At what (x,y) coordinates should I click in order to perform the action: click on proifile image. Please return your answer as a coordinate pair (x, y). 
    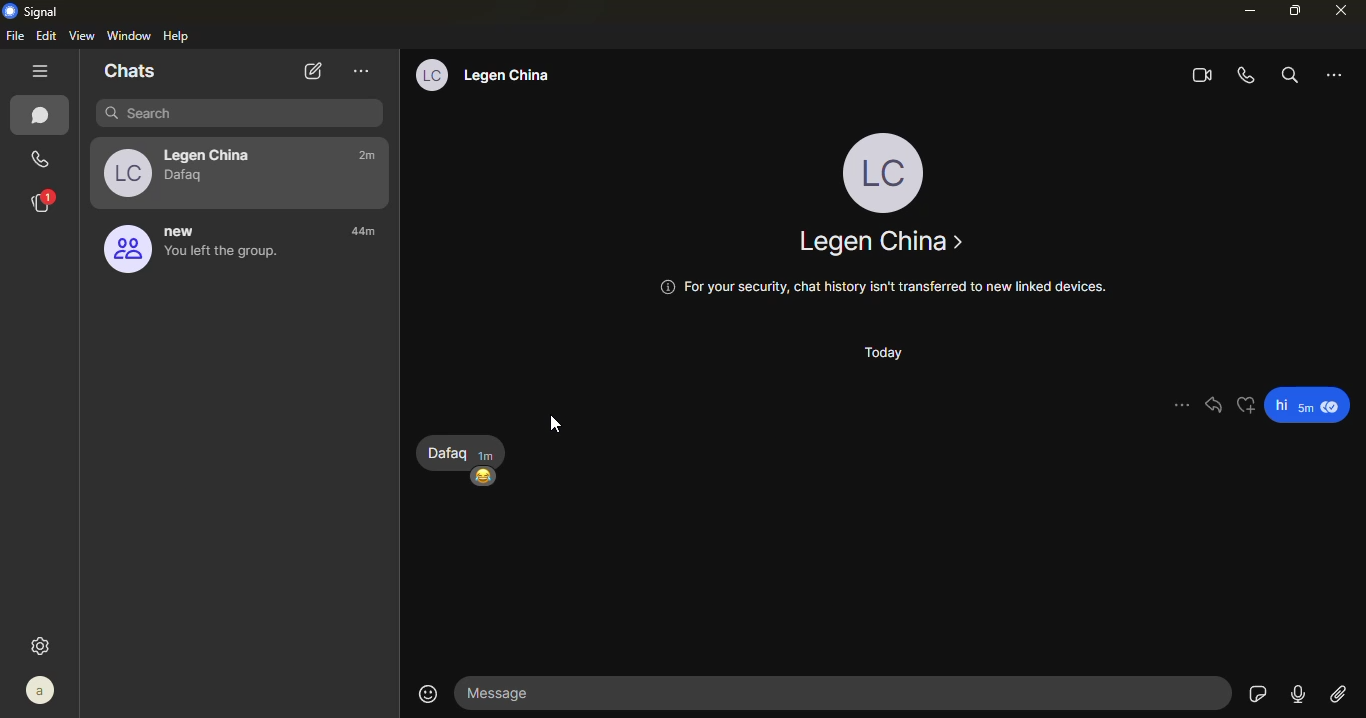
    Looking at the image, I should click on (123, 251).